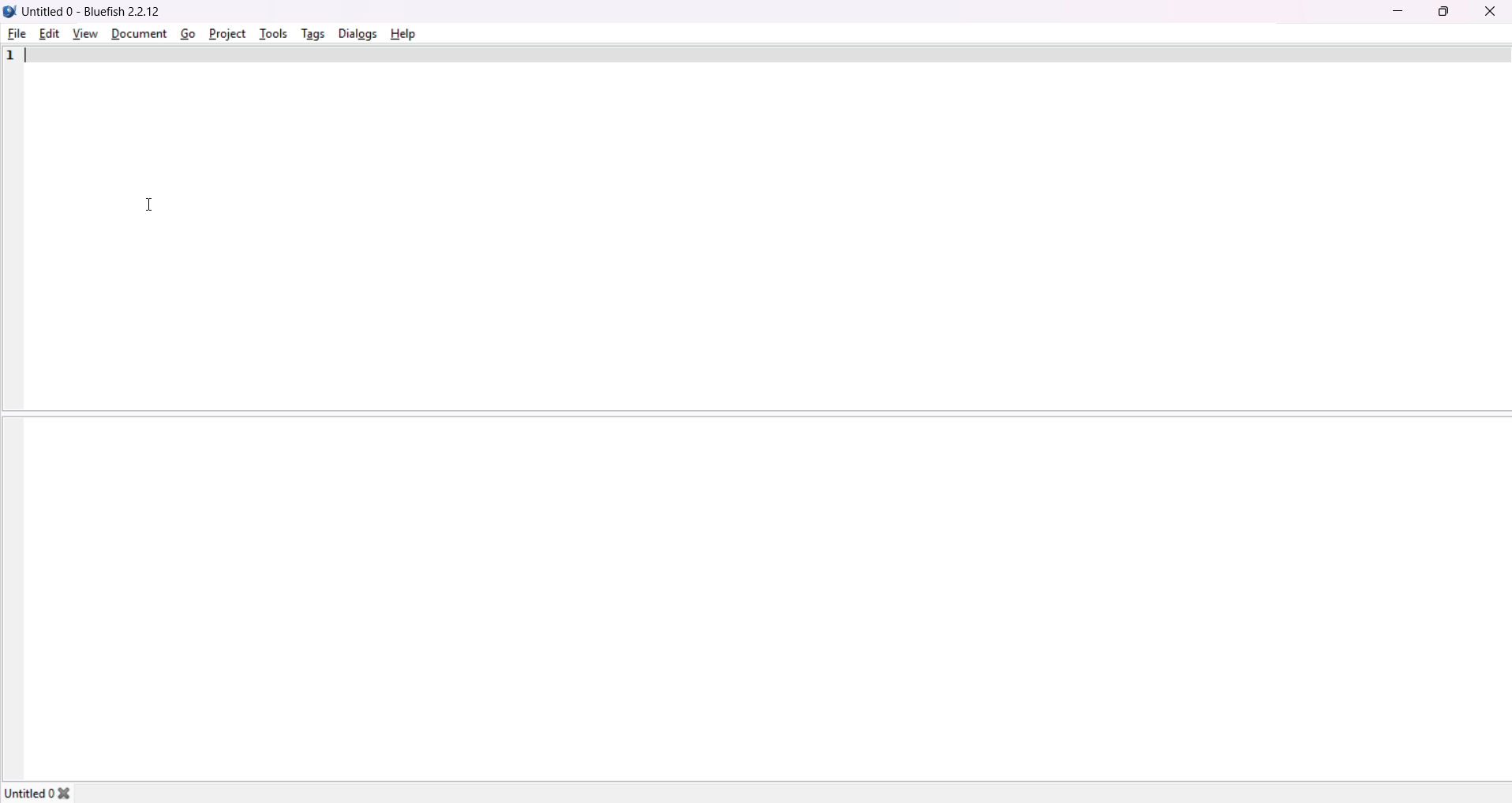 This screenshot has width=1512, height=803. Describe the element at coordinates (356, 32) in the screenshot. I see `dialog` at that location.